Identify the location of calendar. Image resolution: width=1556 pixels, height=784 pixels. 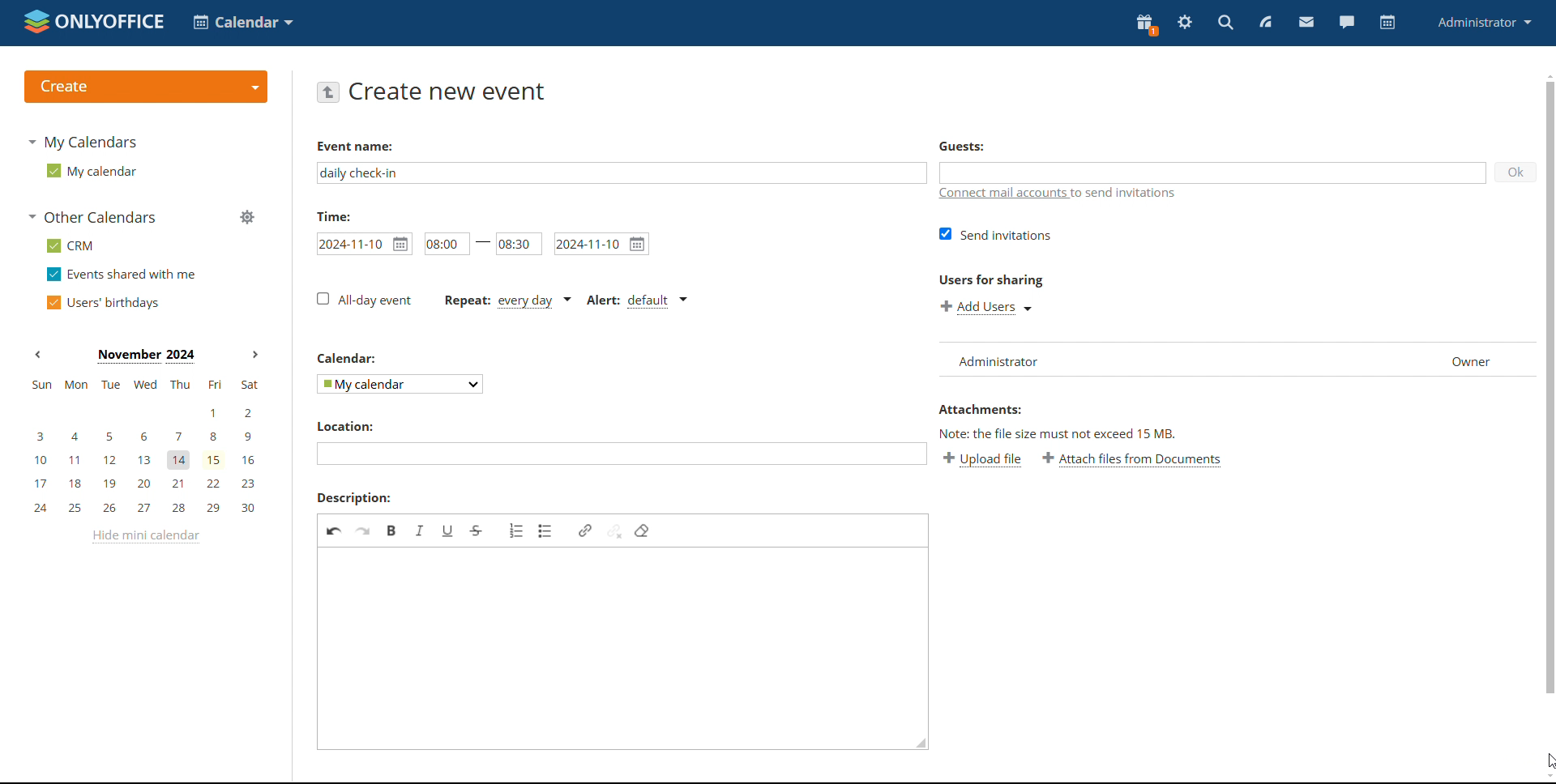
(357, 359).